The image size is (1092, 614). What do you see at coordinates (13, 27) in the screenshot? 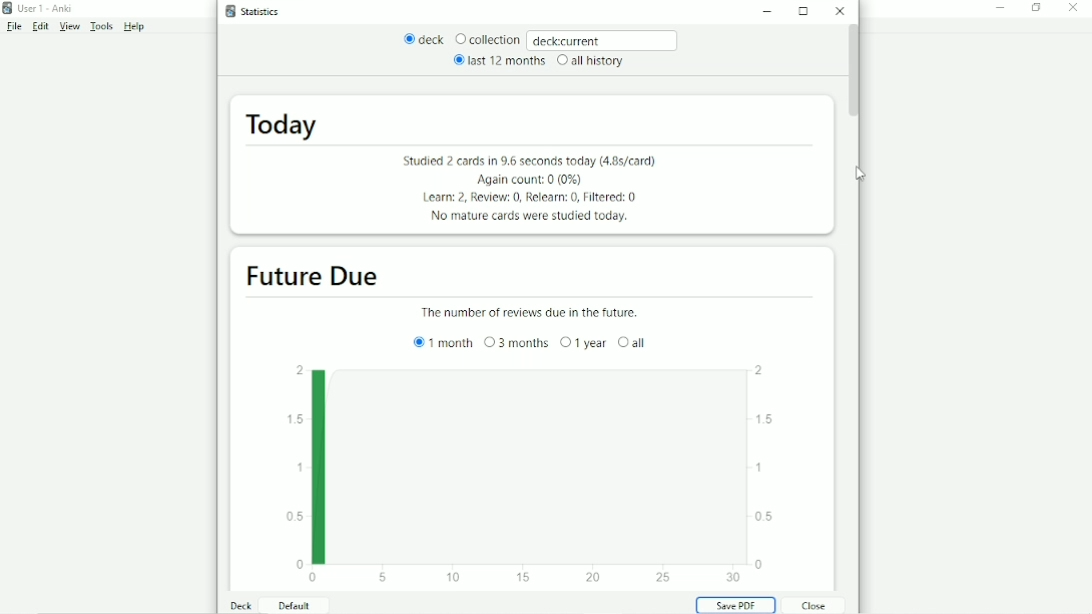
I see `File` at bounding box center [13, 27].